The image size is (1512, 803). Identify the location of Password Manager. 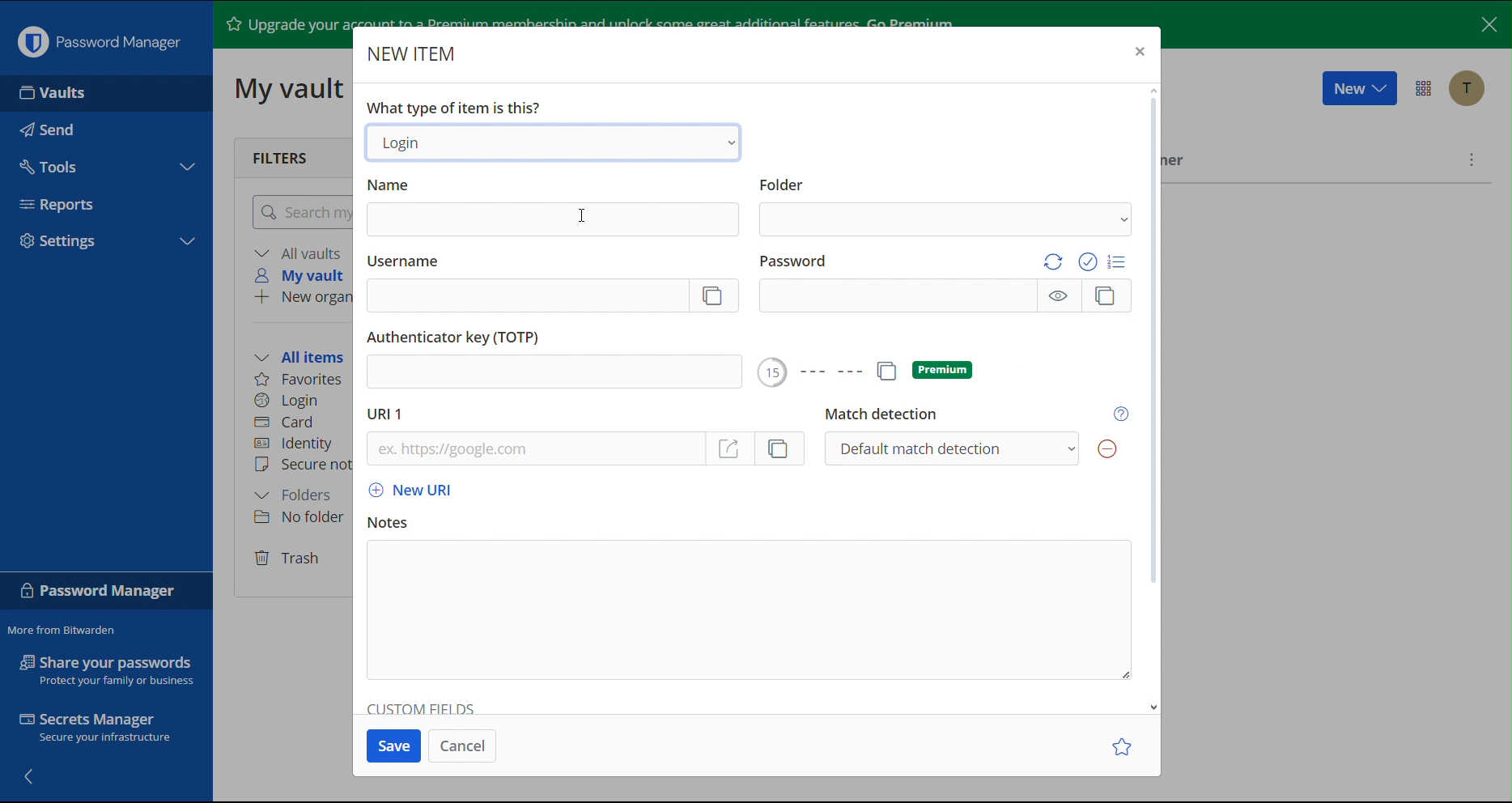
(96, 41).